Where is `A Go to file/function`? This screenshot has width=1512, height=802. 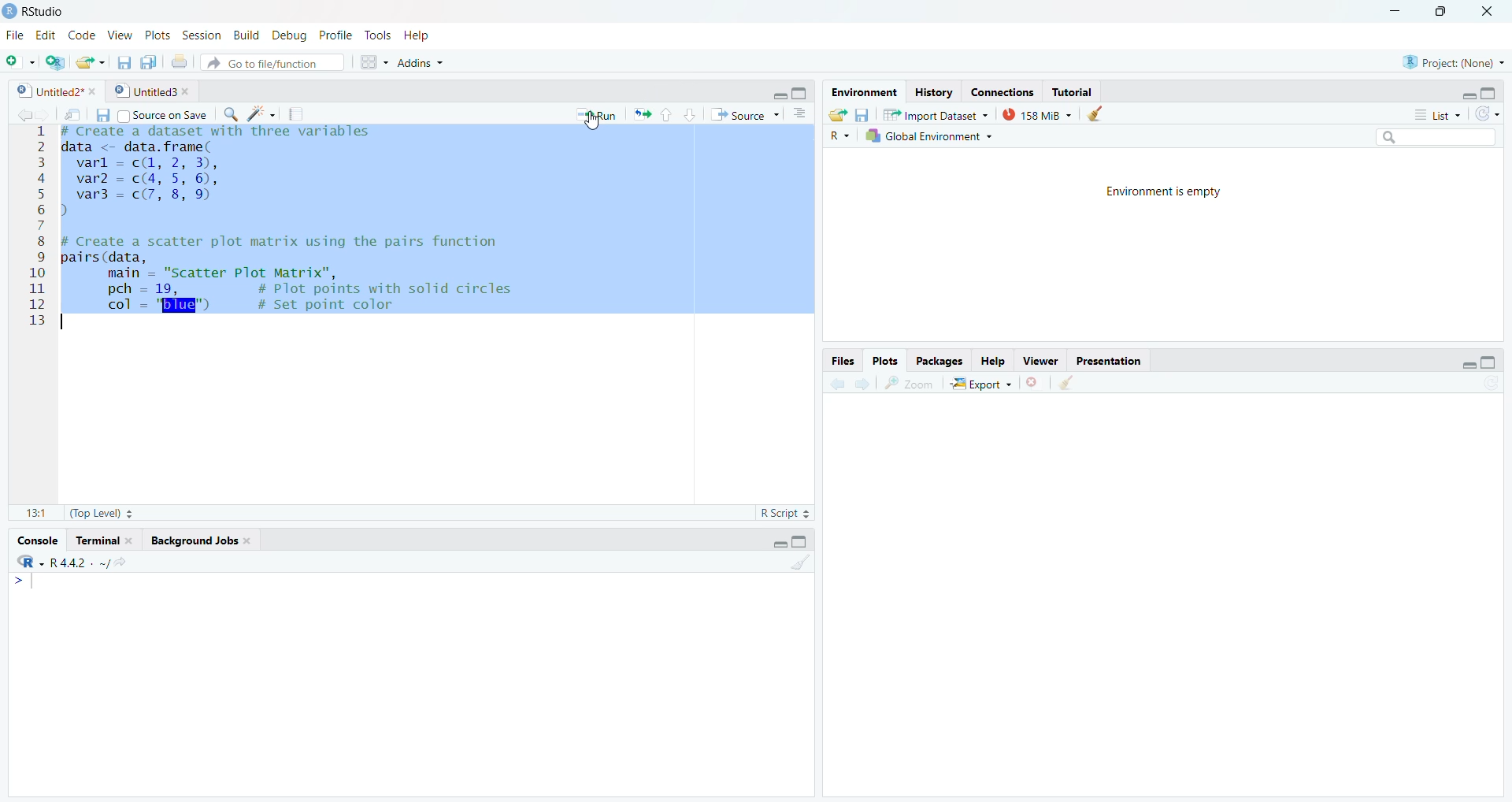
A Go to file/function is located at coordinates (272, 62).